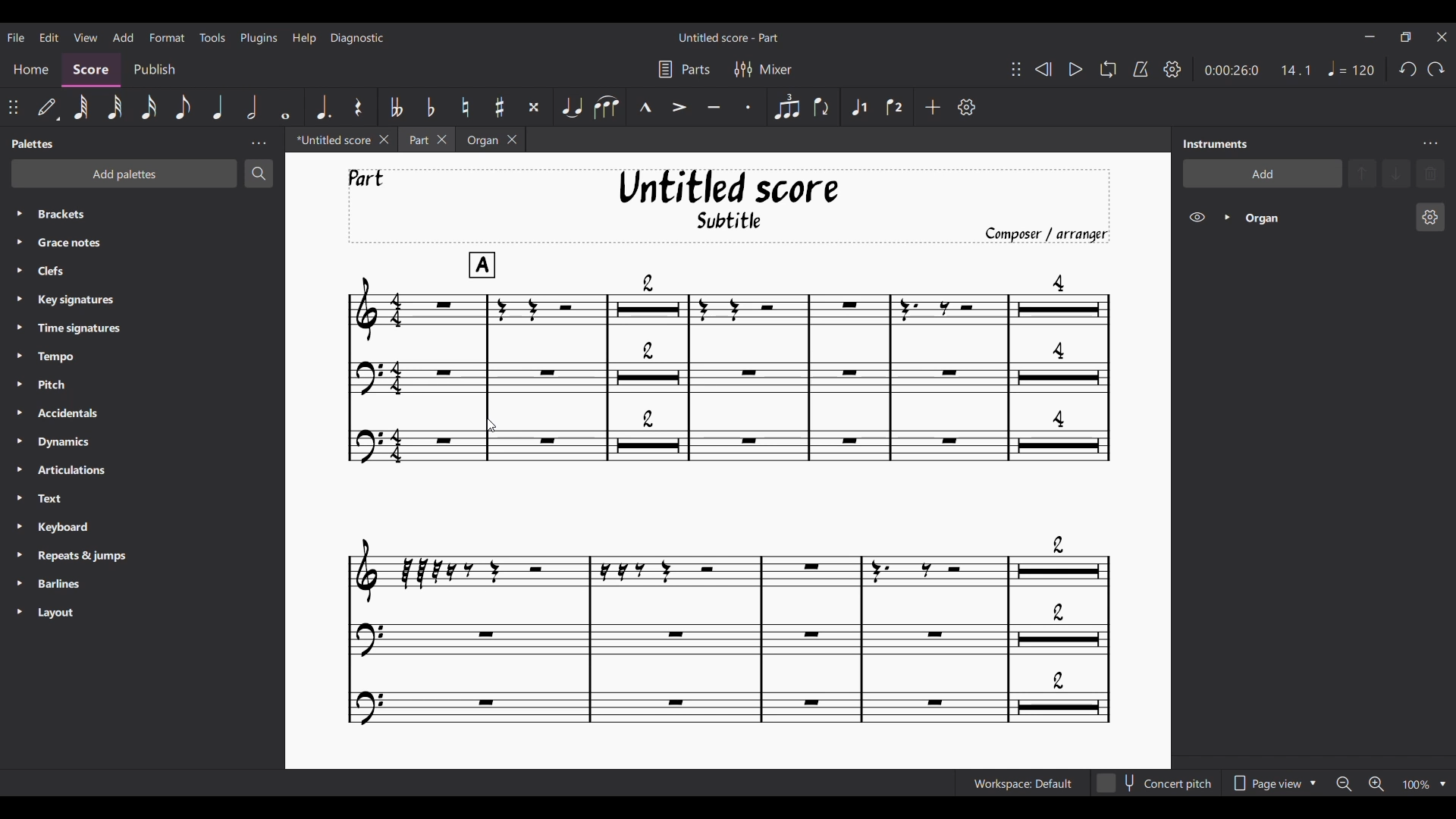 The width and height of the screenshot is (1456, 819). What do you see at coordinates (1197, 217) in the screenshot?
I see `Hide organ` at bounding box center [1197, 217].